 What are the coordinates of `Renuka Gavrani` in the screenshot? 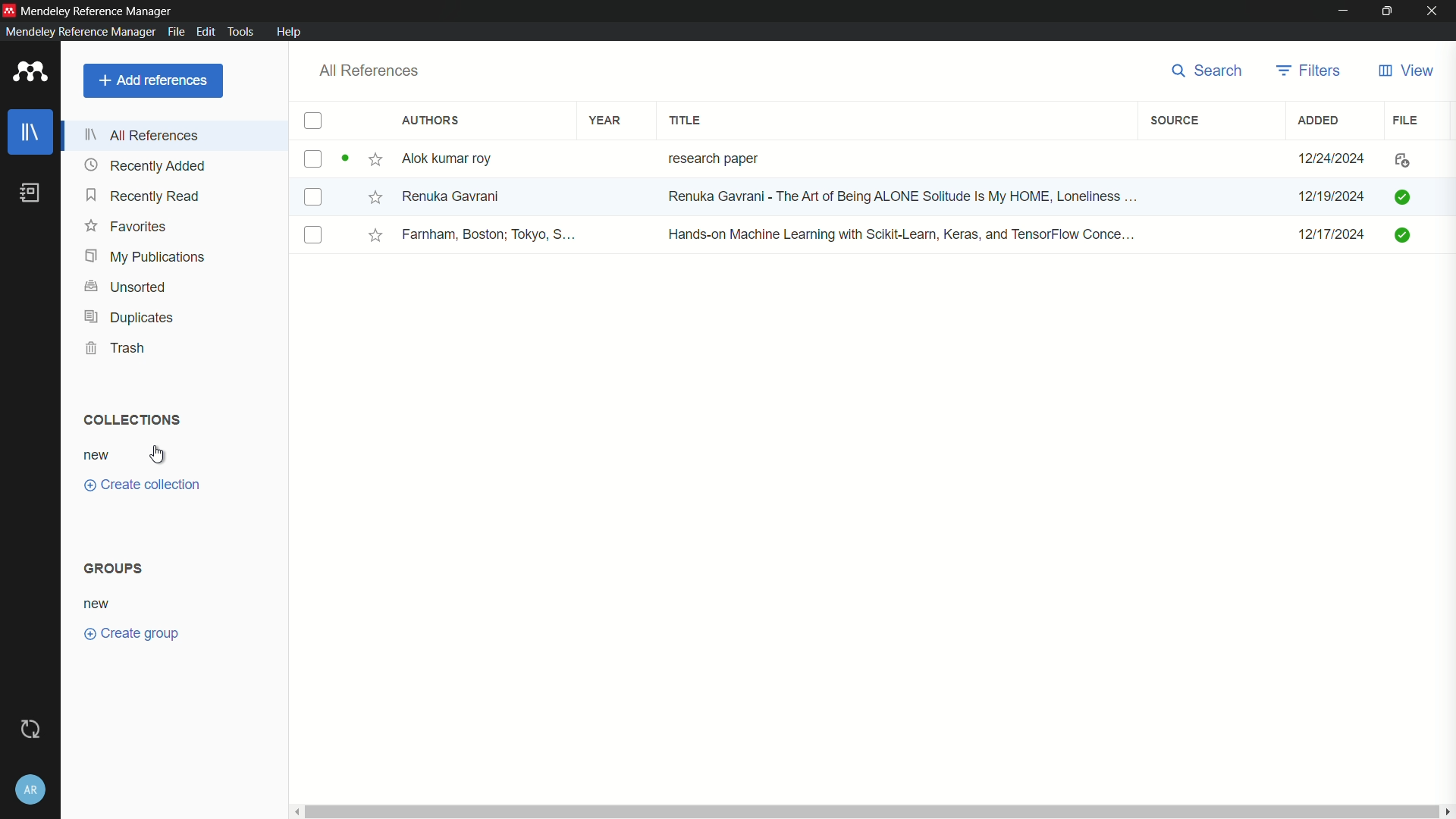 It's located at (456, 196).